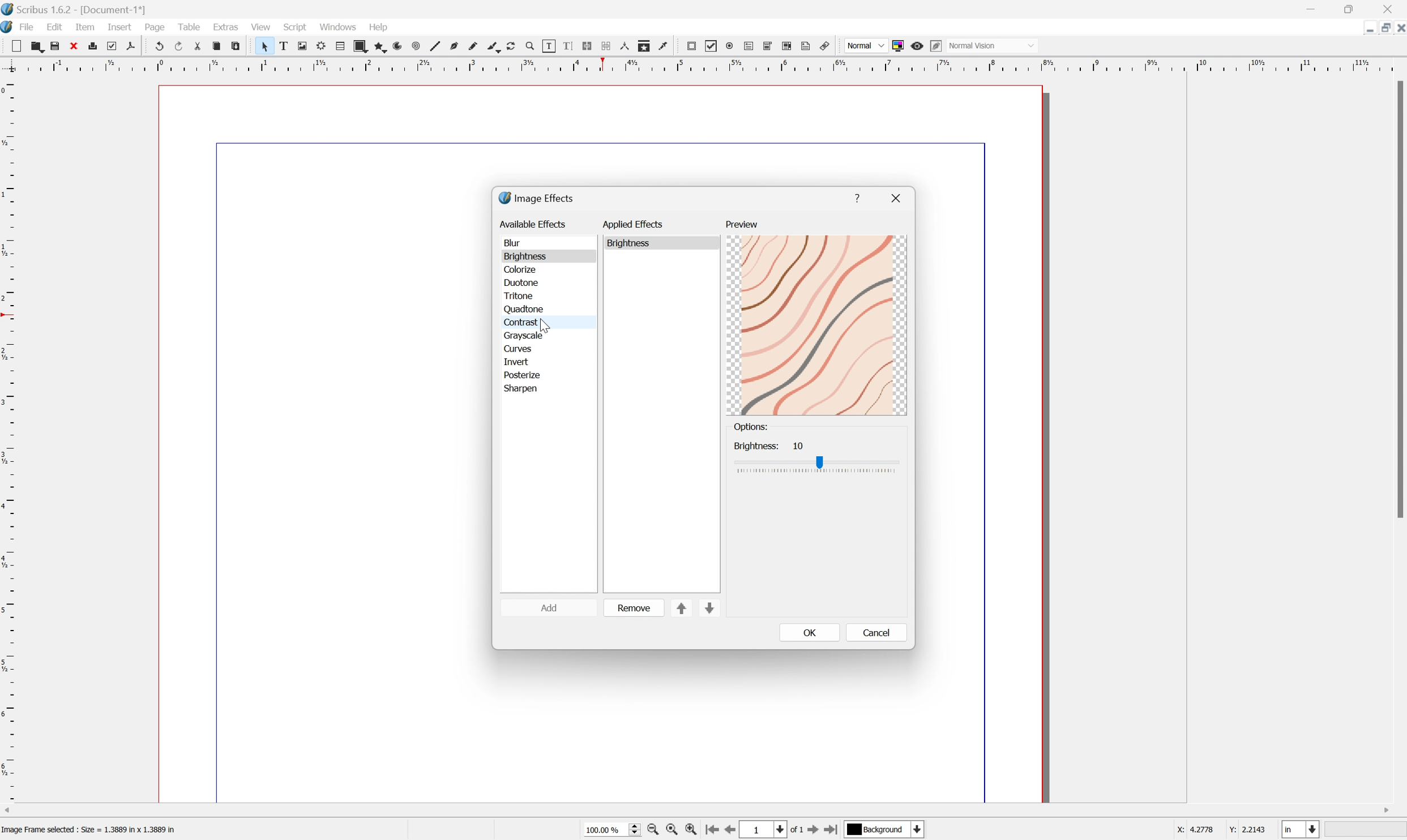  I want to click on PDF radio button, so click(729, 46).